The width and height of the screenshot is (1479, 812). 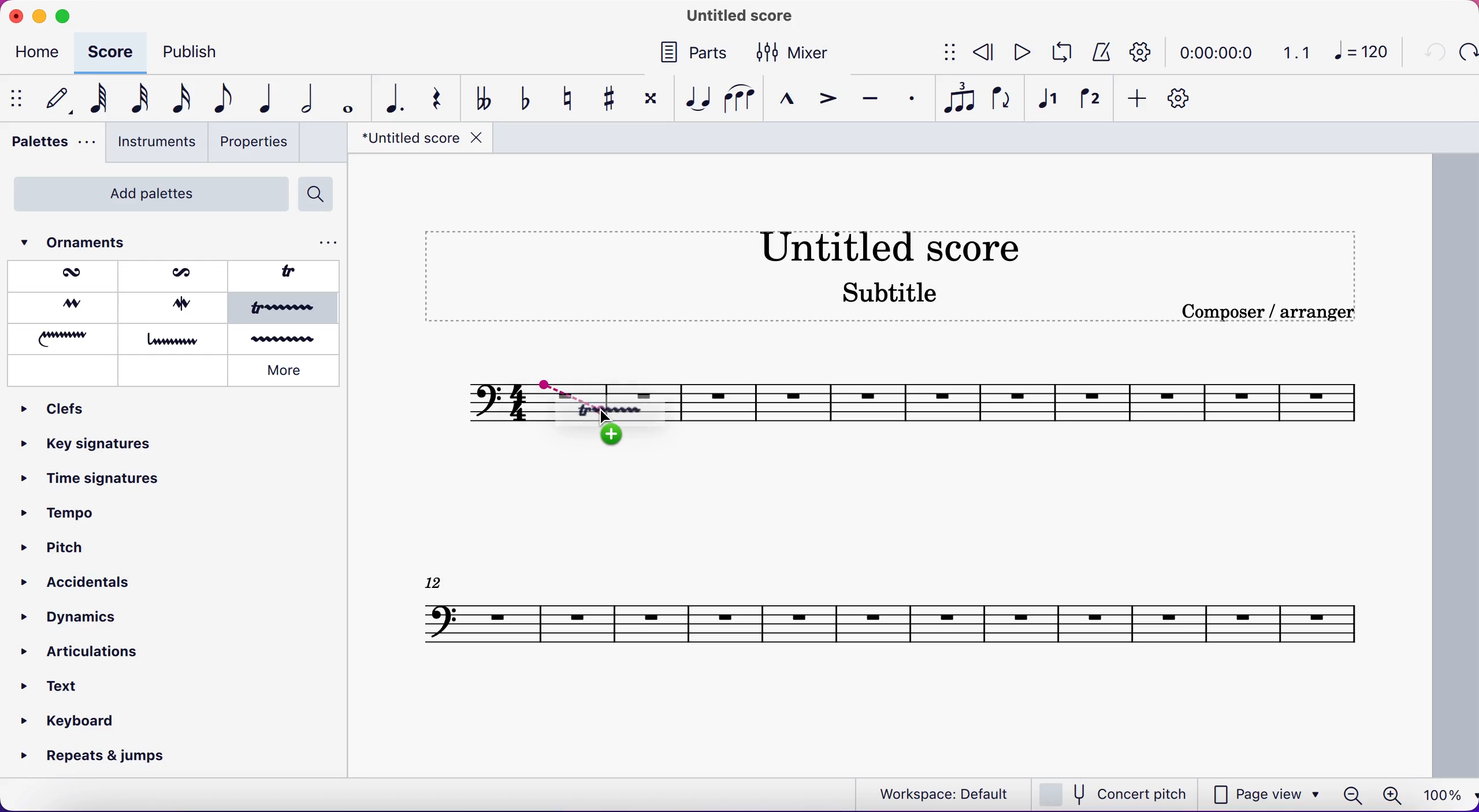 I want to click on accidentals, so click(x=73, y=578).